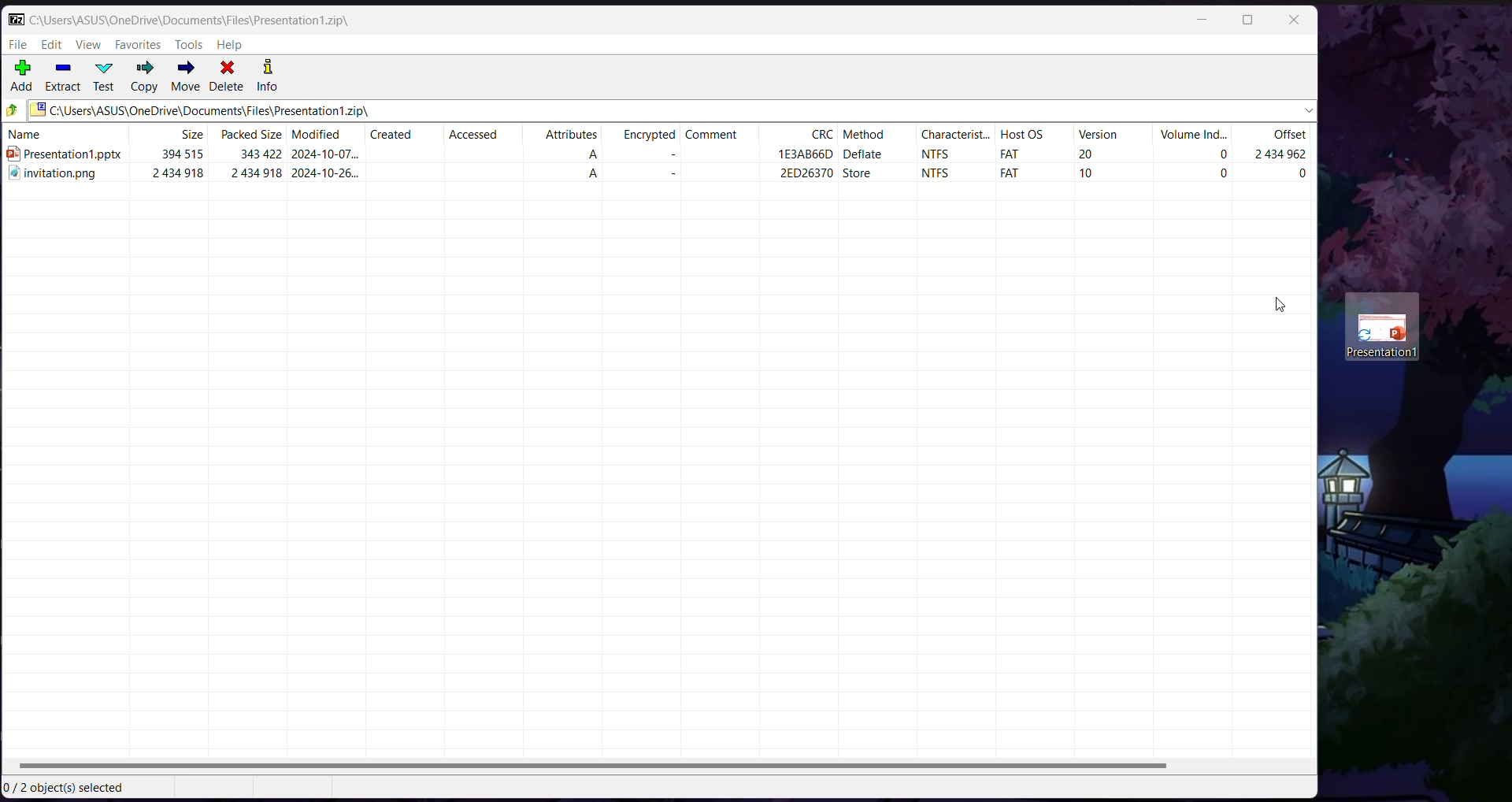  I want to click on size, so click(193, 136).